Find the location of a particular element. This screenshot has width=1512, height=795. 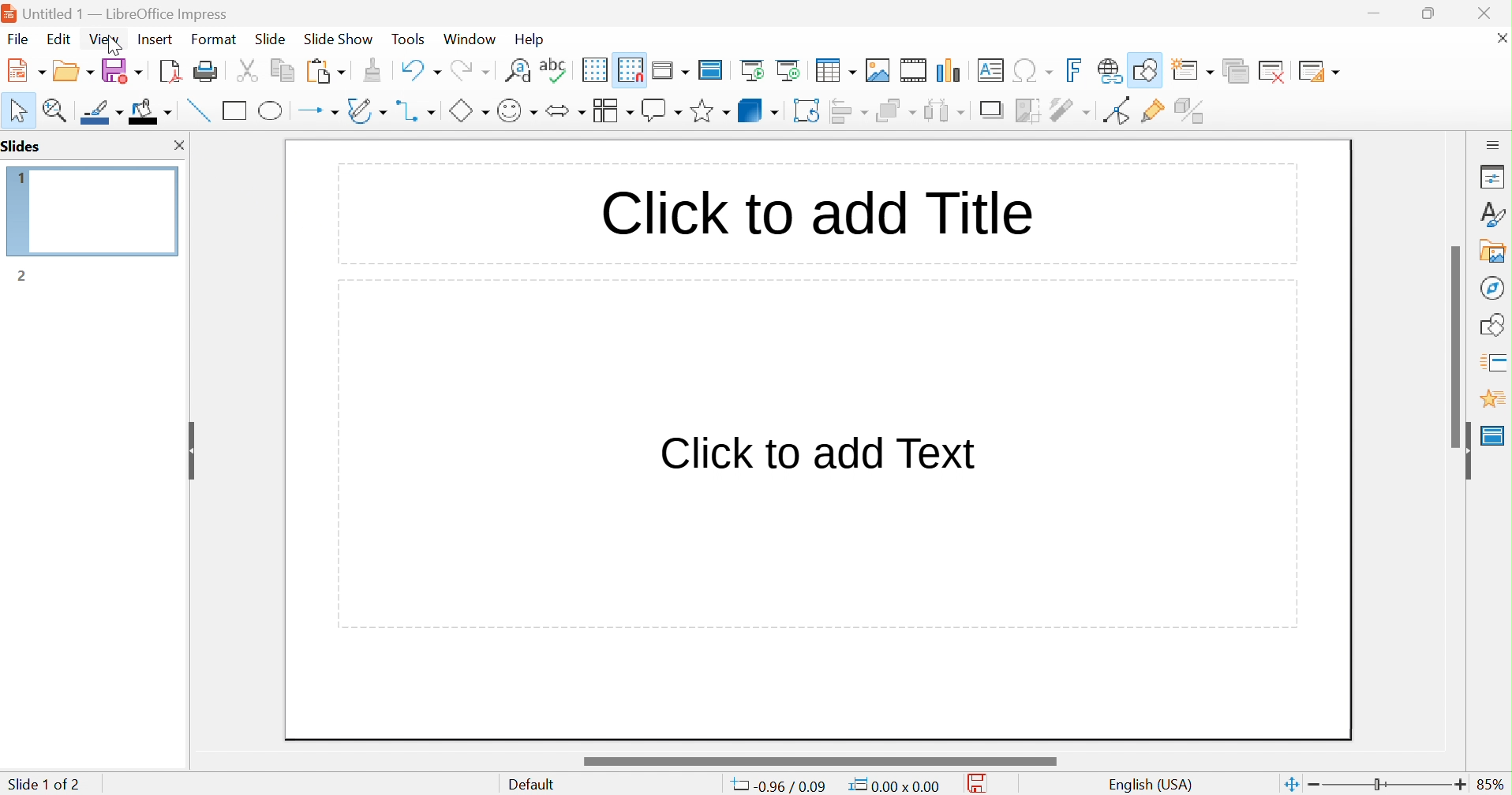

click to add title is located at coordinates (816, 210).